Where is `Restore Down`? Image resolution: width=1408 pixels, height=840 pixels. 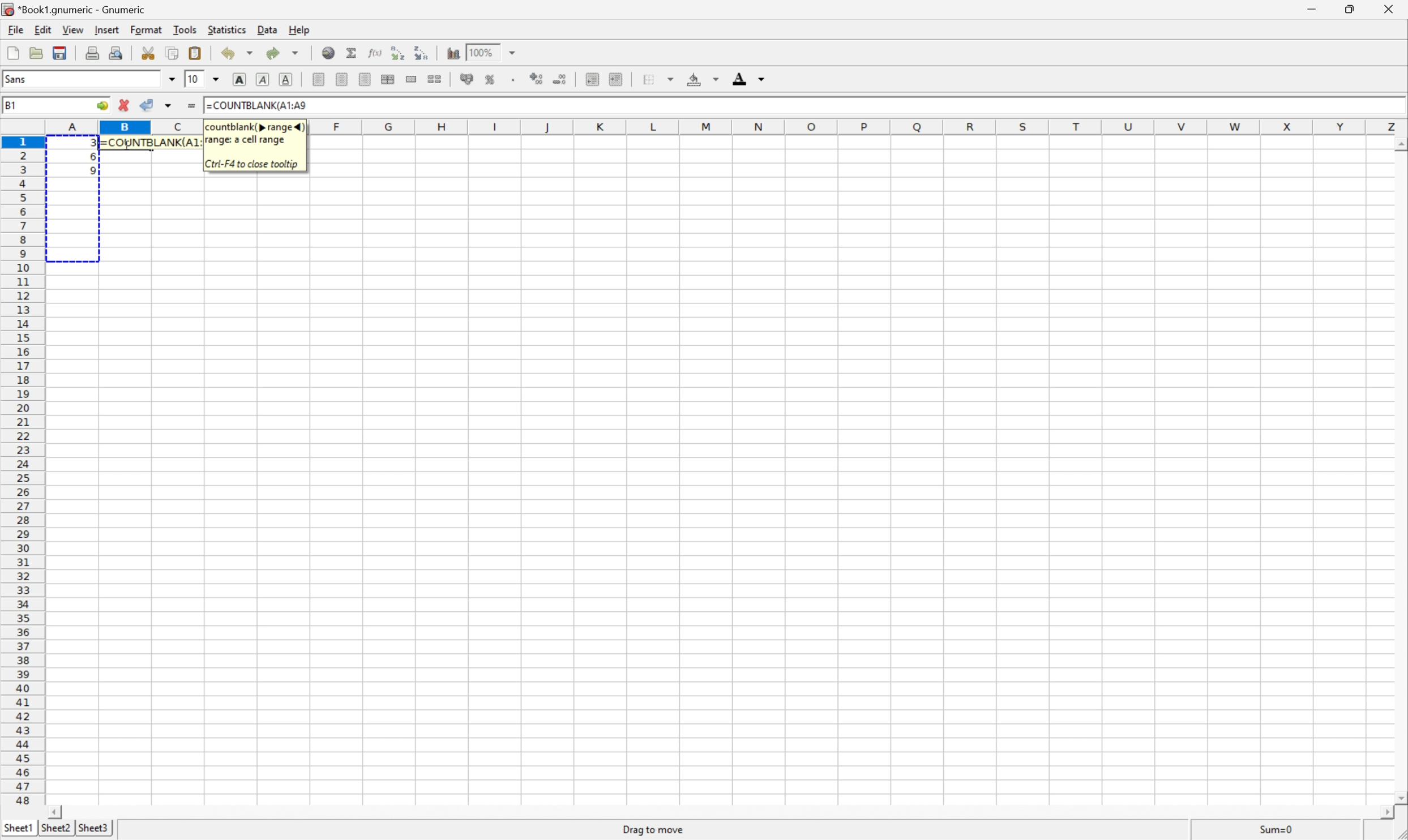
Restore Down is located at coordinates (1350, 9).